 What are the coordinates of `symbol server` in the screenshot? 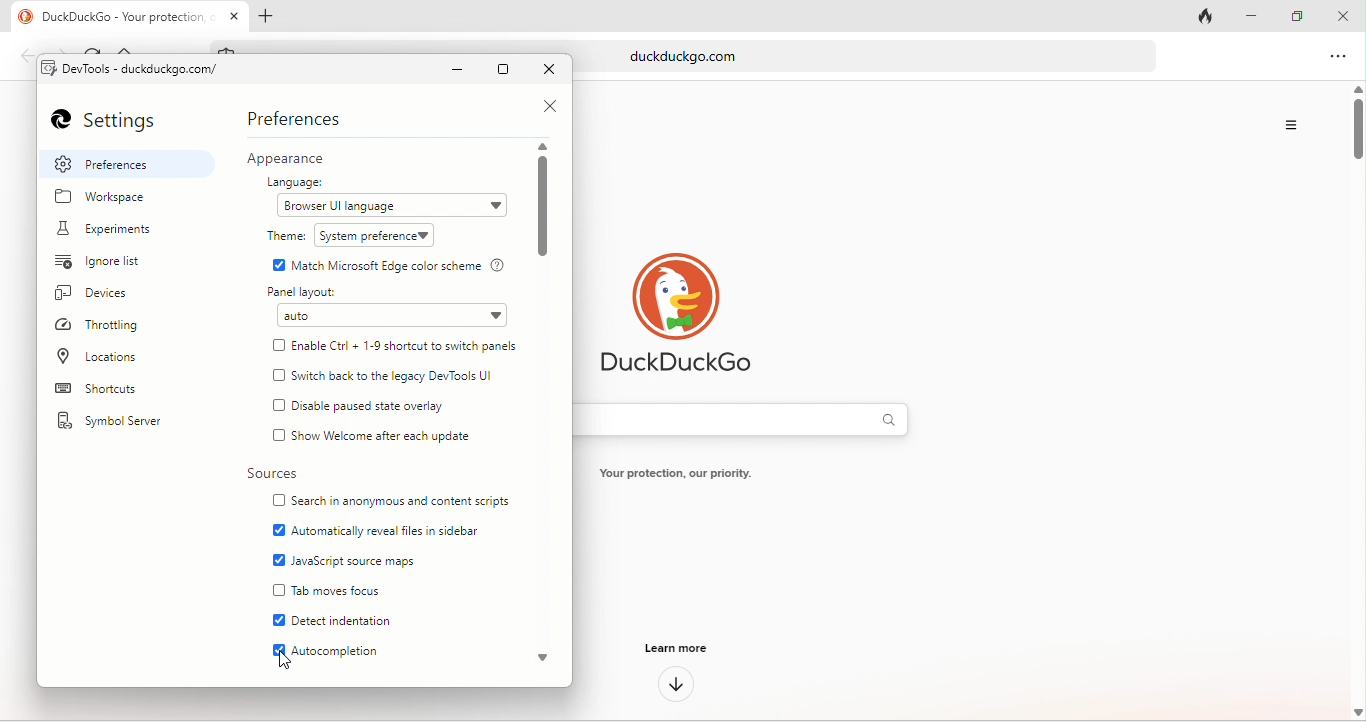 It's located at (121, 423).